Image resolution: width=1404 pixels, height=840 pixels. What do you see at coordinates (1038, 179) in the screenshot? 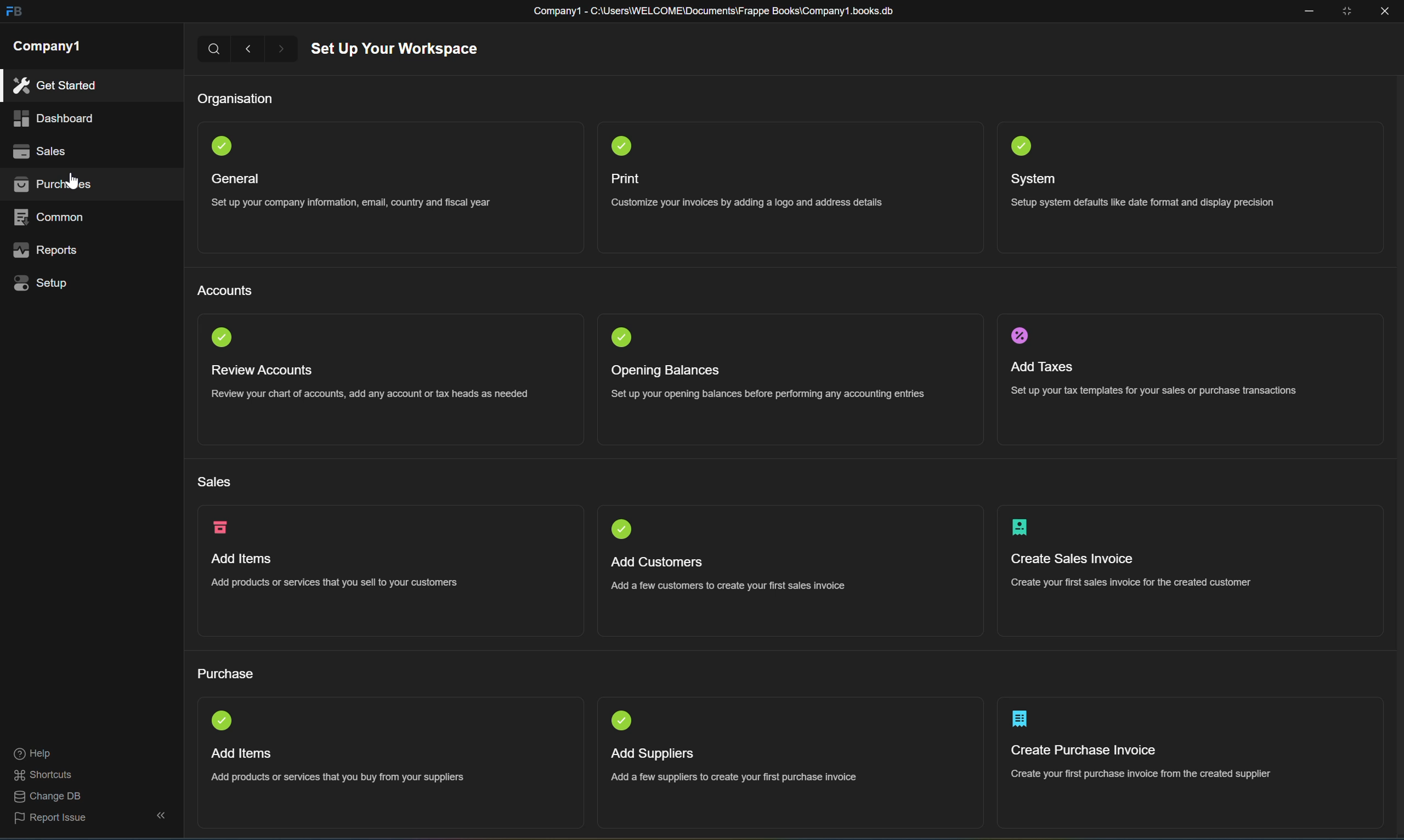
I see `system` at bounding box center [1038, 179].